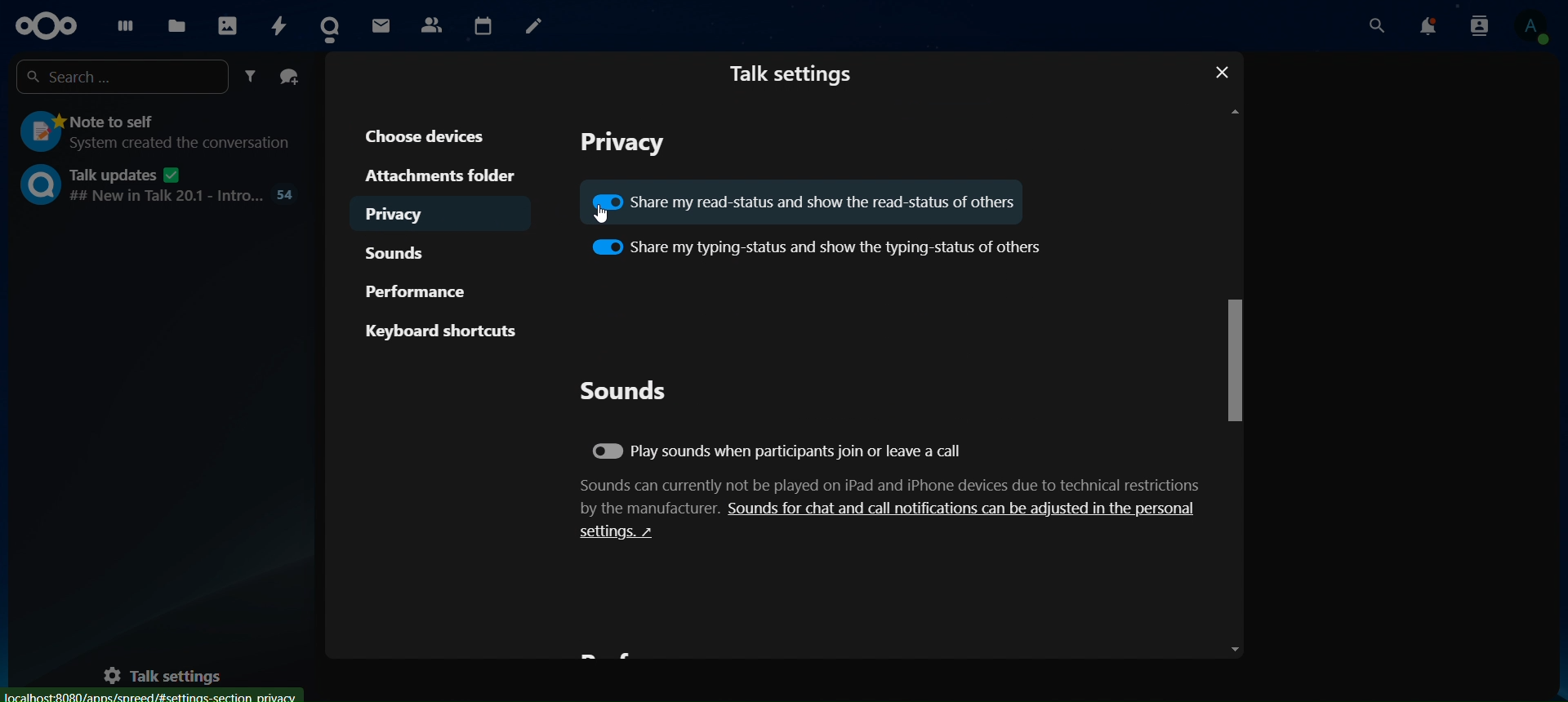 The width and height of the screenshot is (1568, 702). What do you see at coordinates (1214, 72) in the screenshot?
I see `Close` at bounding box center [1214, 72].